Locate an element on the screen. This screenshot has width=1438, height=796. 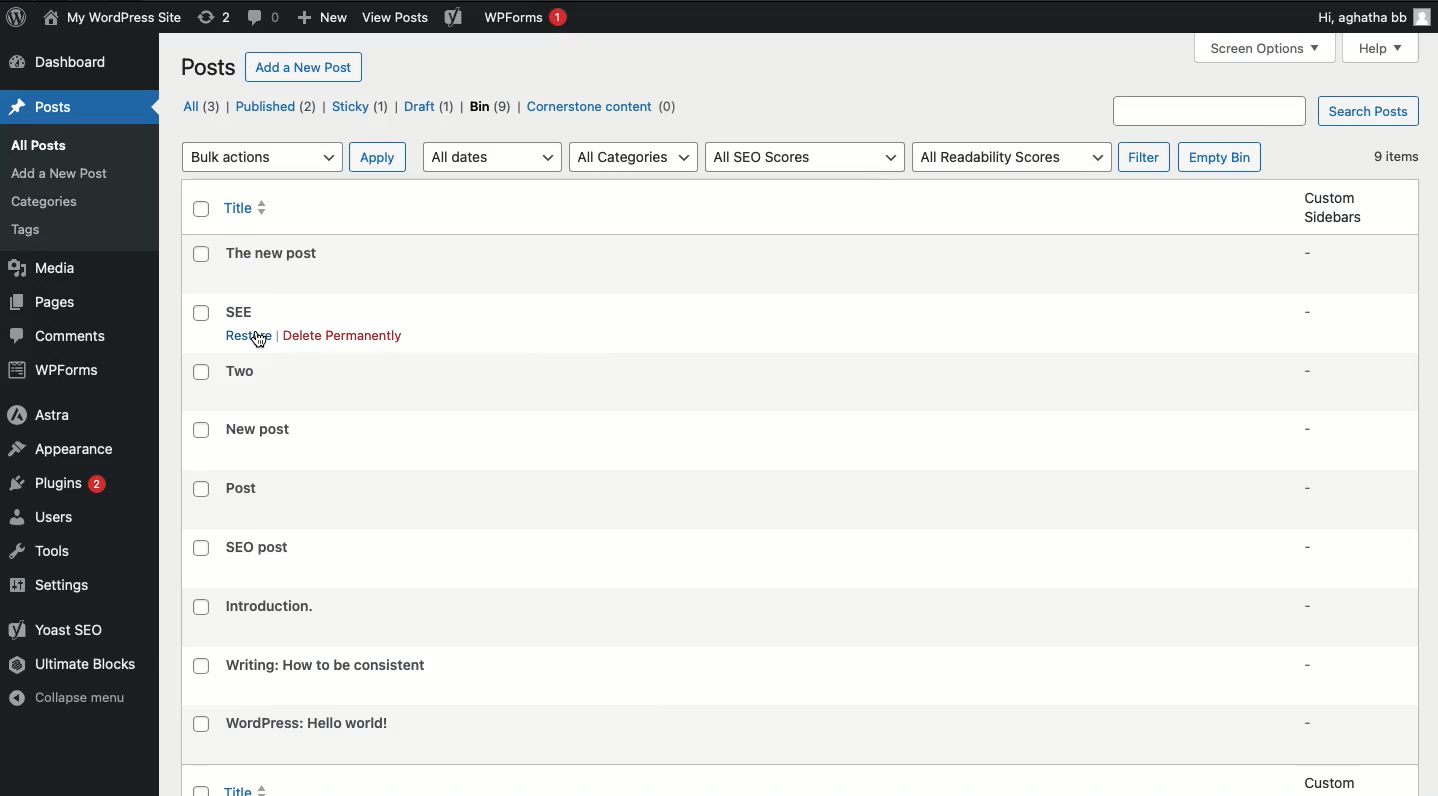
tags is located at coordinates (32, 230).